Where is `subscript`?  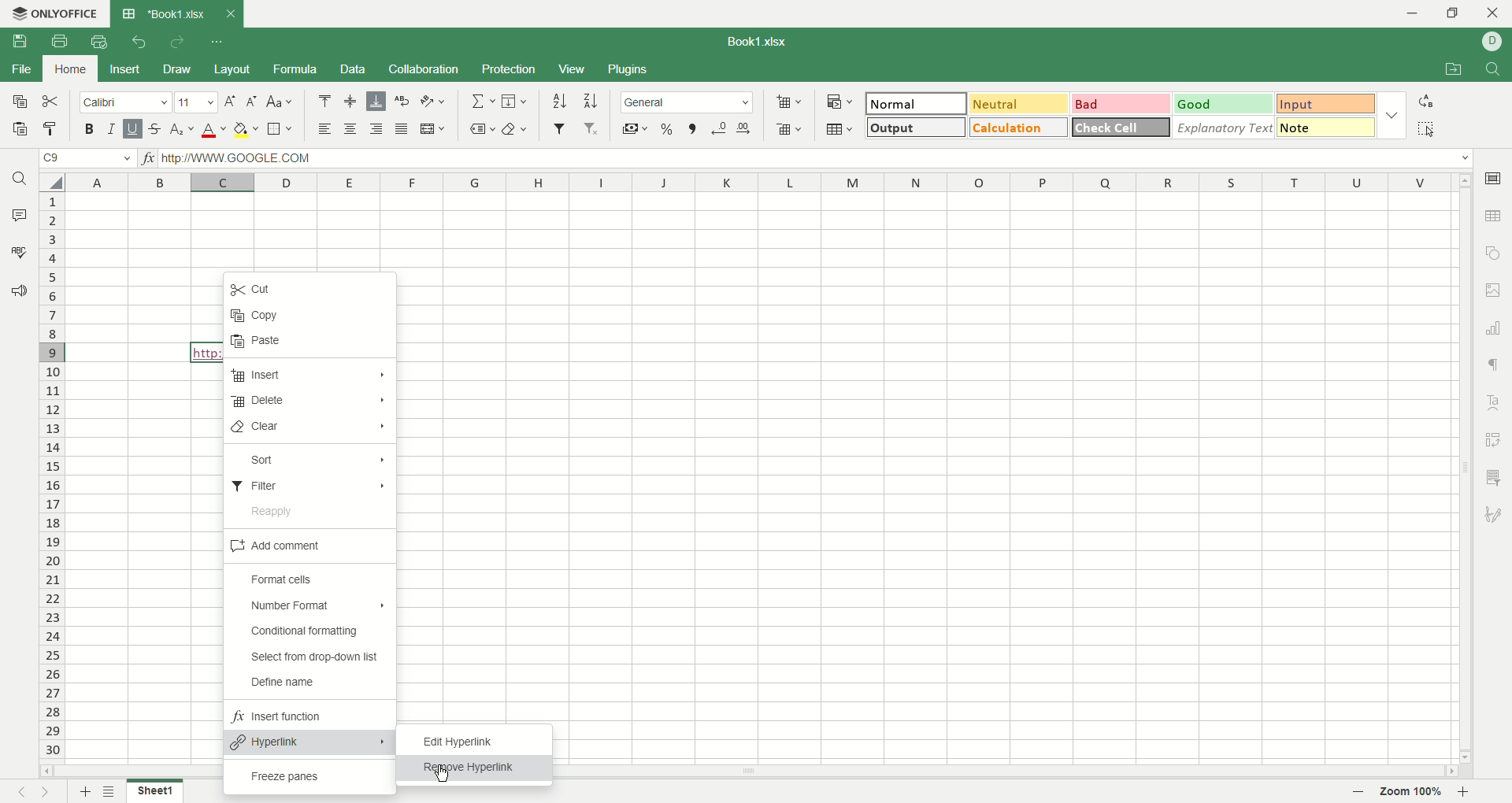
subscript is located at coordinates (181, 131).